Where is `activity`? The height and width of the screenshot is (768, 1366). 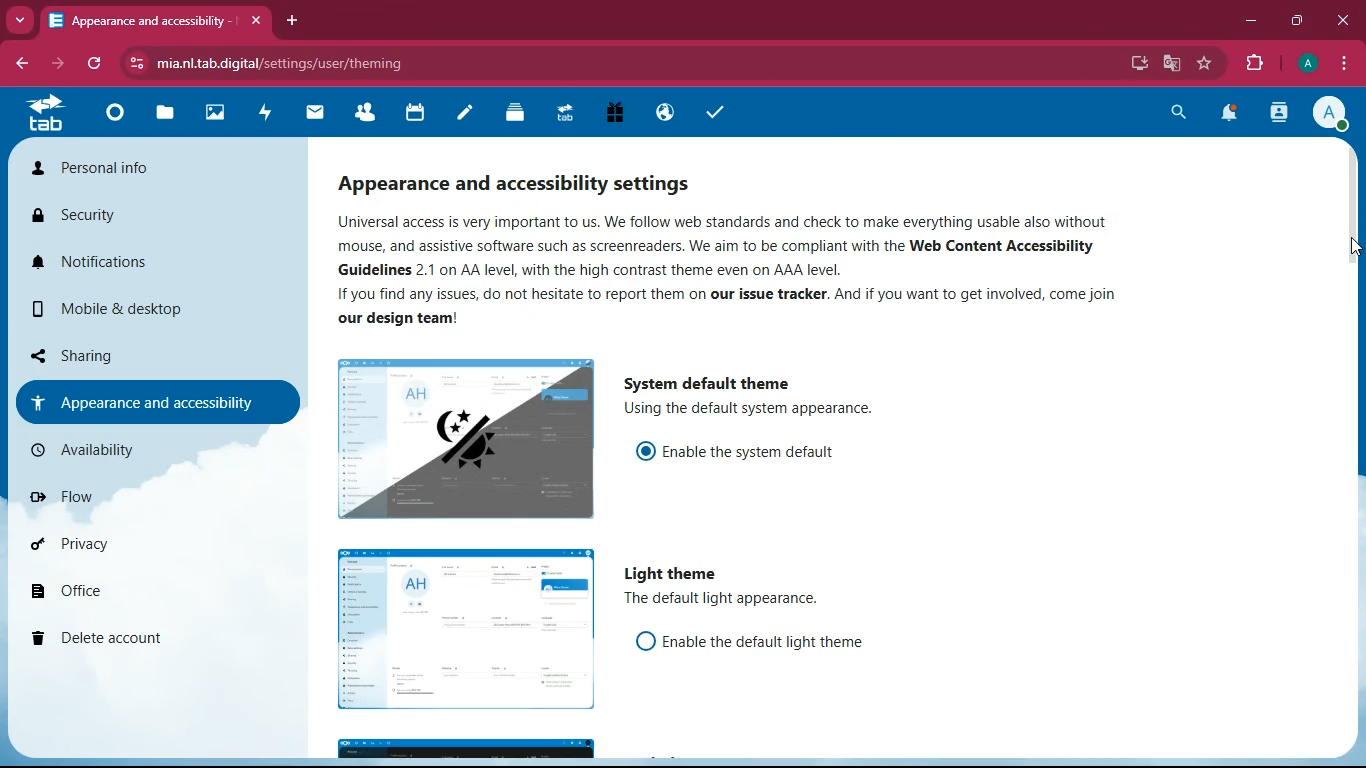 activity is located at coordinates (266, 112).